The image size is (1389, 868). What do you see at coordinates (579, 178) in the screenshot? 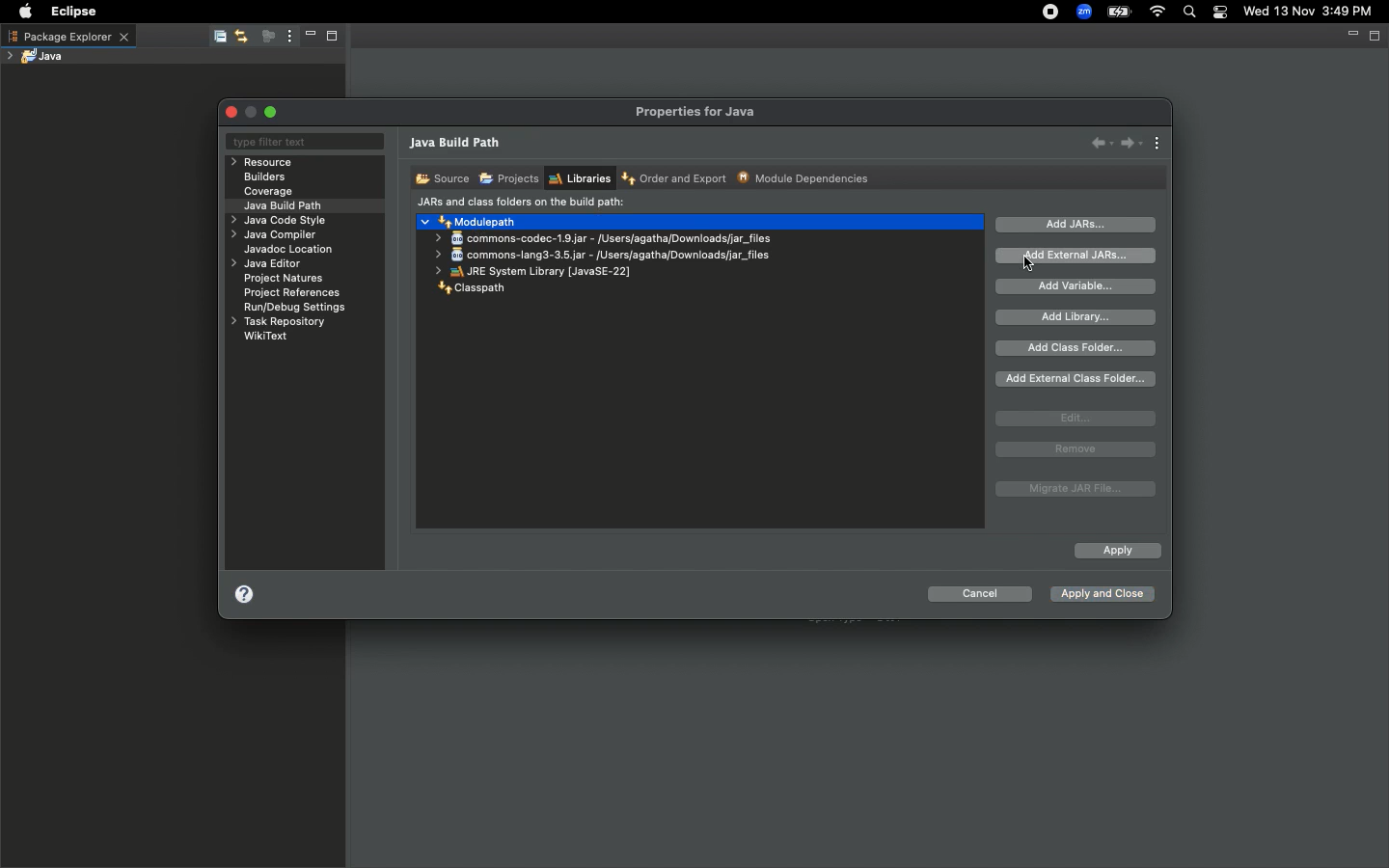
I see `Libraries` at bounding box center [579, 178].